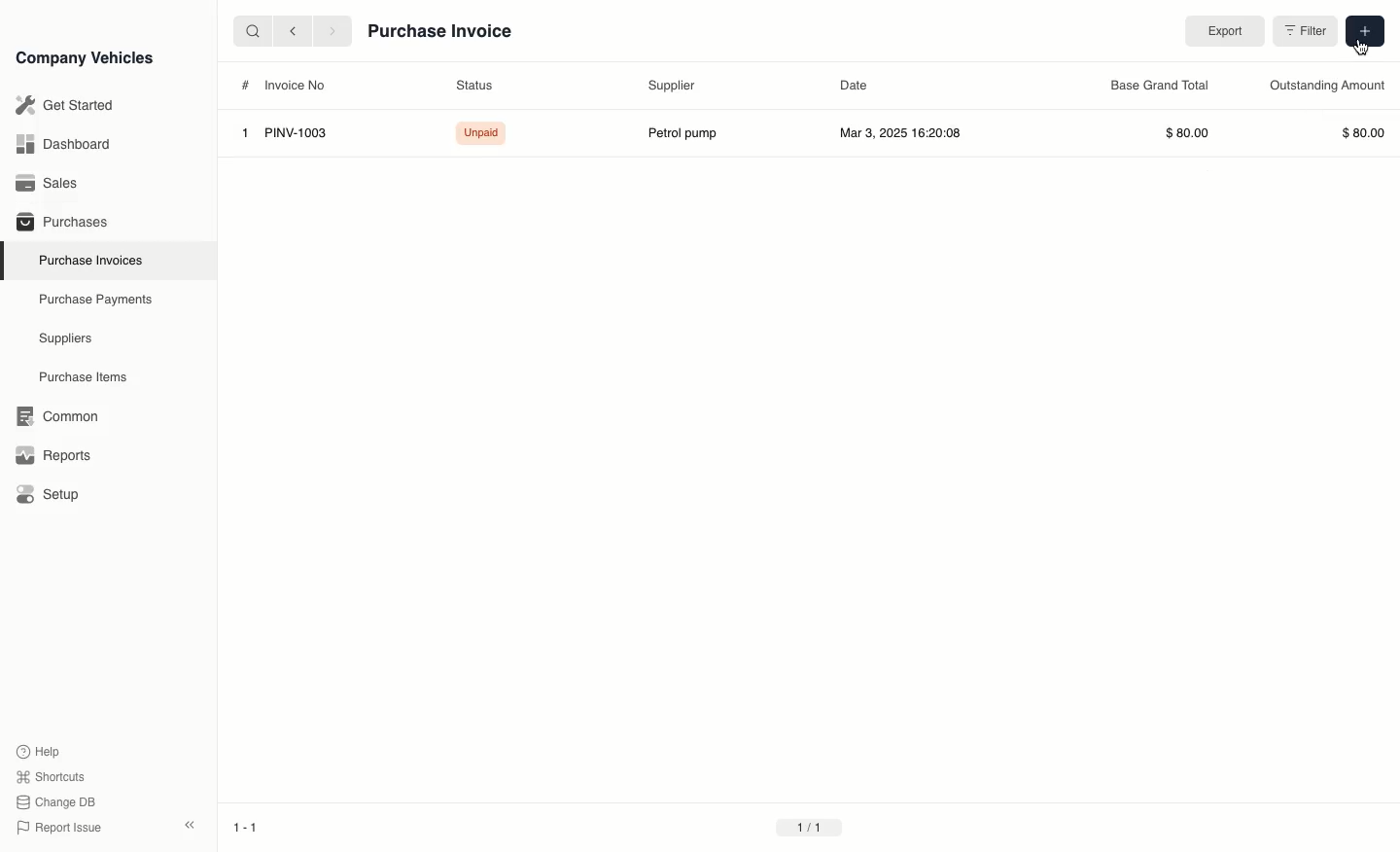 This screenshot has height=852, width=1400. I want to click on Outstanding Amount, so click(1330, 86).